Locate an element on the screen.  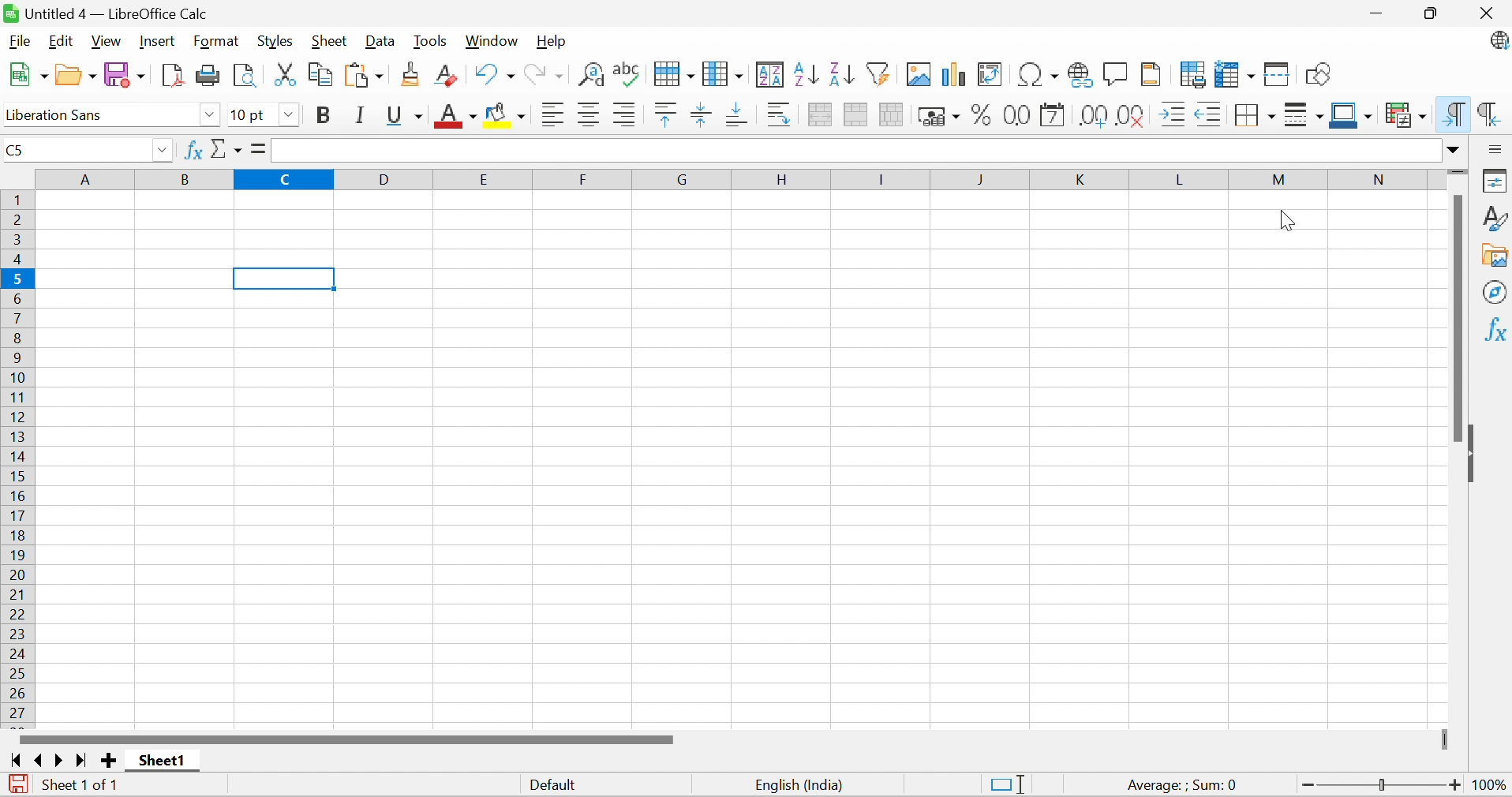
Scroll to next sheet is located at coordinates (60, 760).